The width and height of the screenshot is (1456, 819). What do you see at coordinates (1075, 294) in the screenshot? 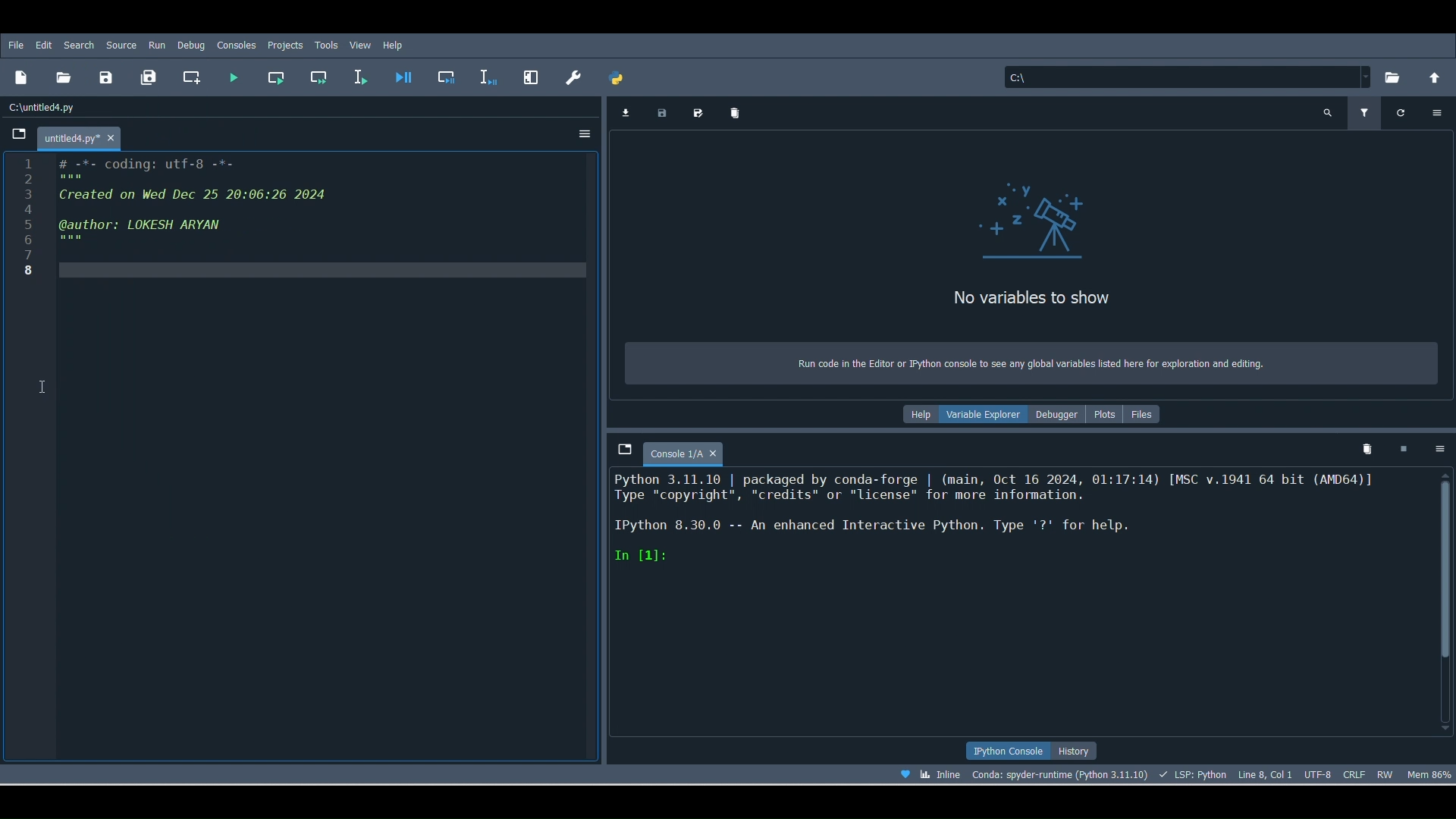
I see `No variables to show` at bounding box center [1075, 294].